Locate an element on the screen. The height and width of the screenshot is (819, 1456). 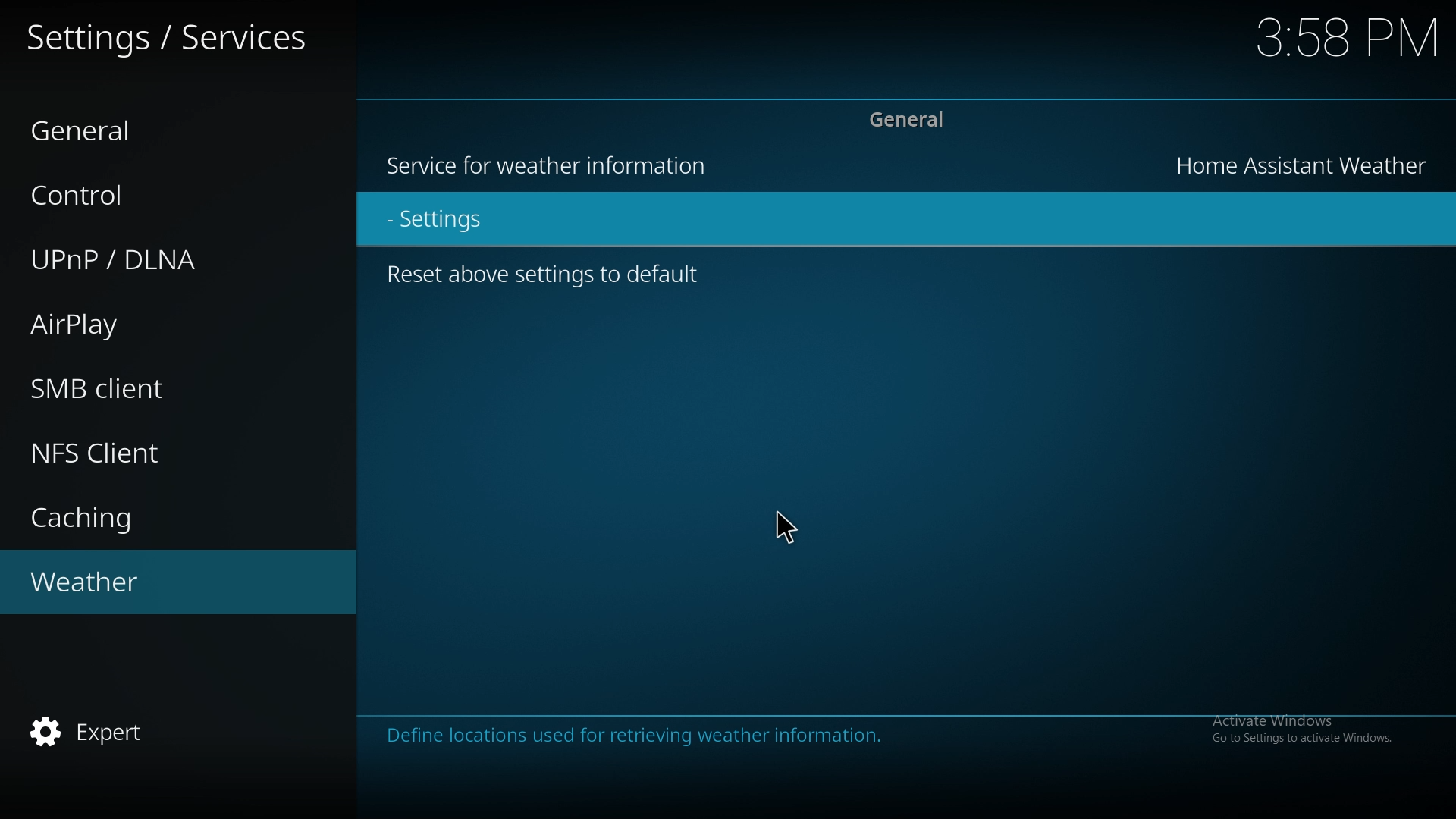
AirPlay is located at coordinates (110, 328).